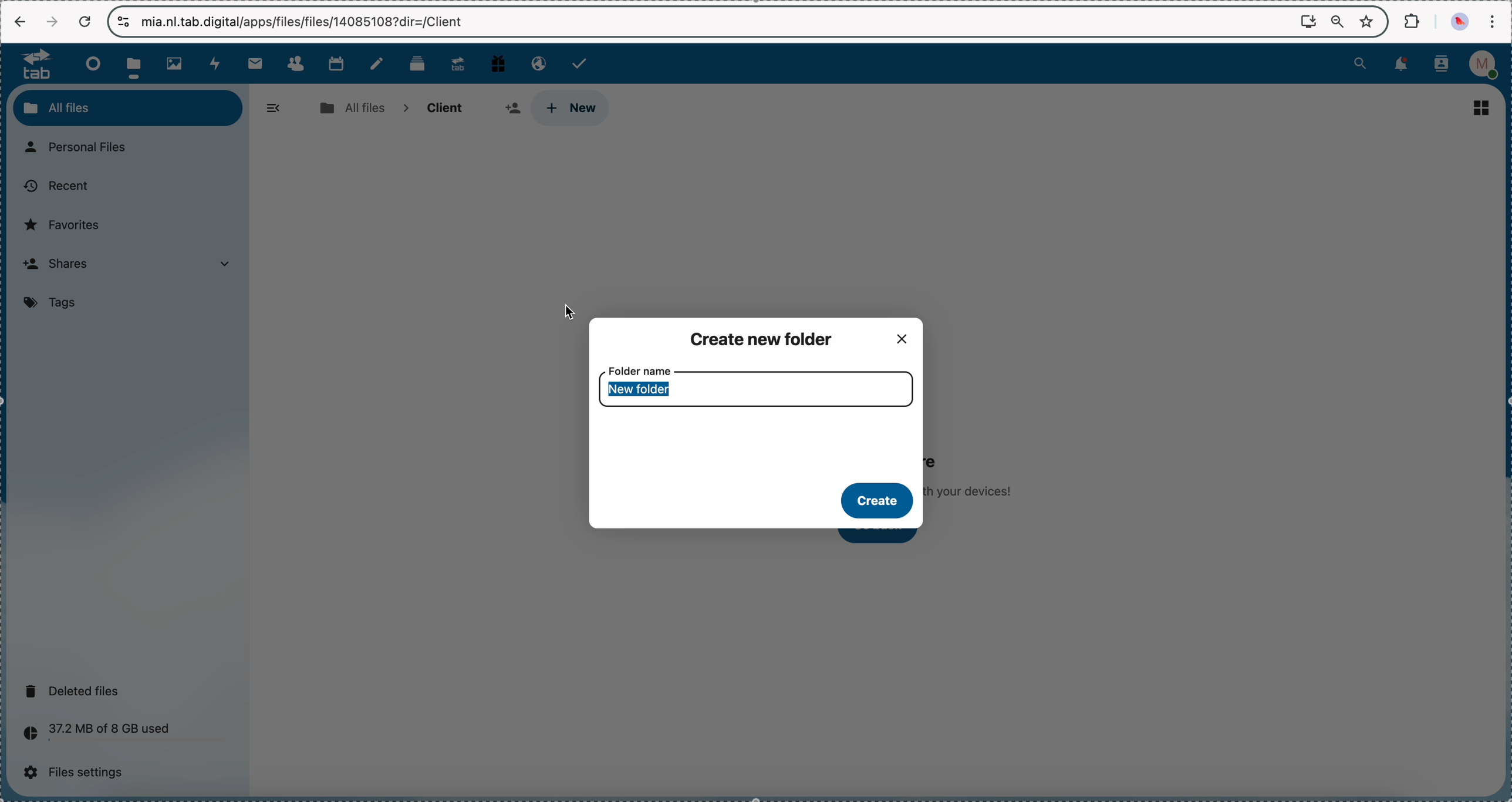 The width and height of the screenshot is (1512, 802). I want to click on 37.2 MB of 8 GB, so click(93, 735).